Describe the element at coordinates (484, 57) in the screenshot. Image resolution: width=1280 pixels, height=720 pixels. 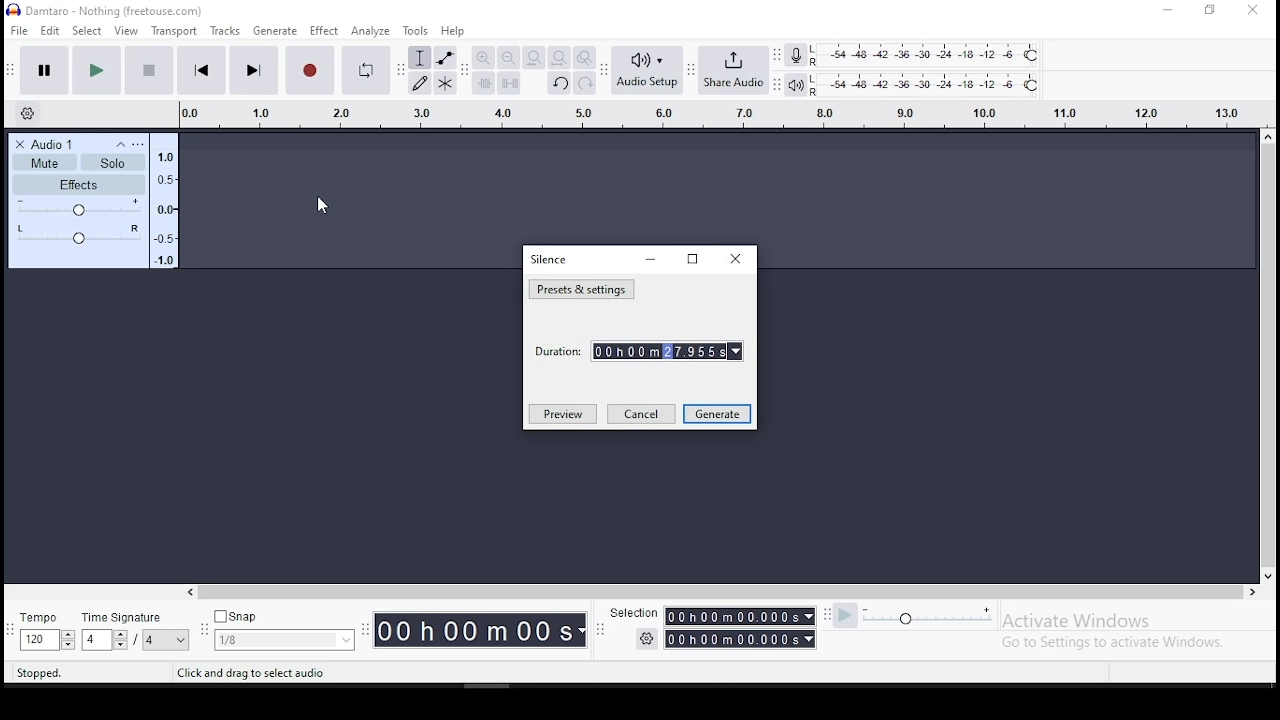
I see `zoom in` at that location.